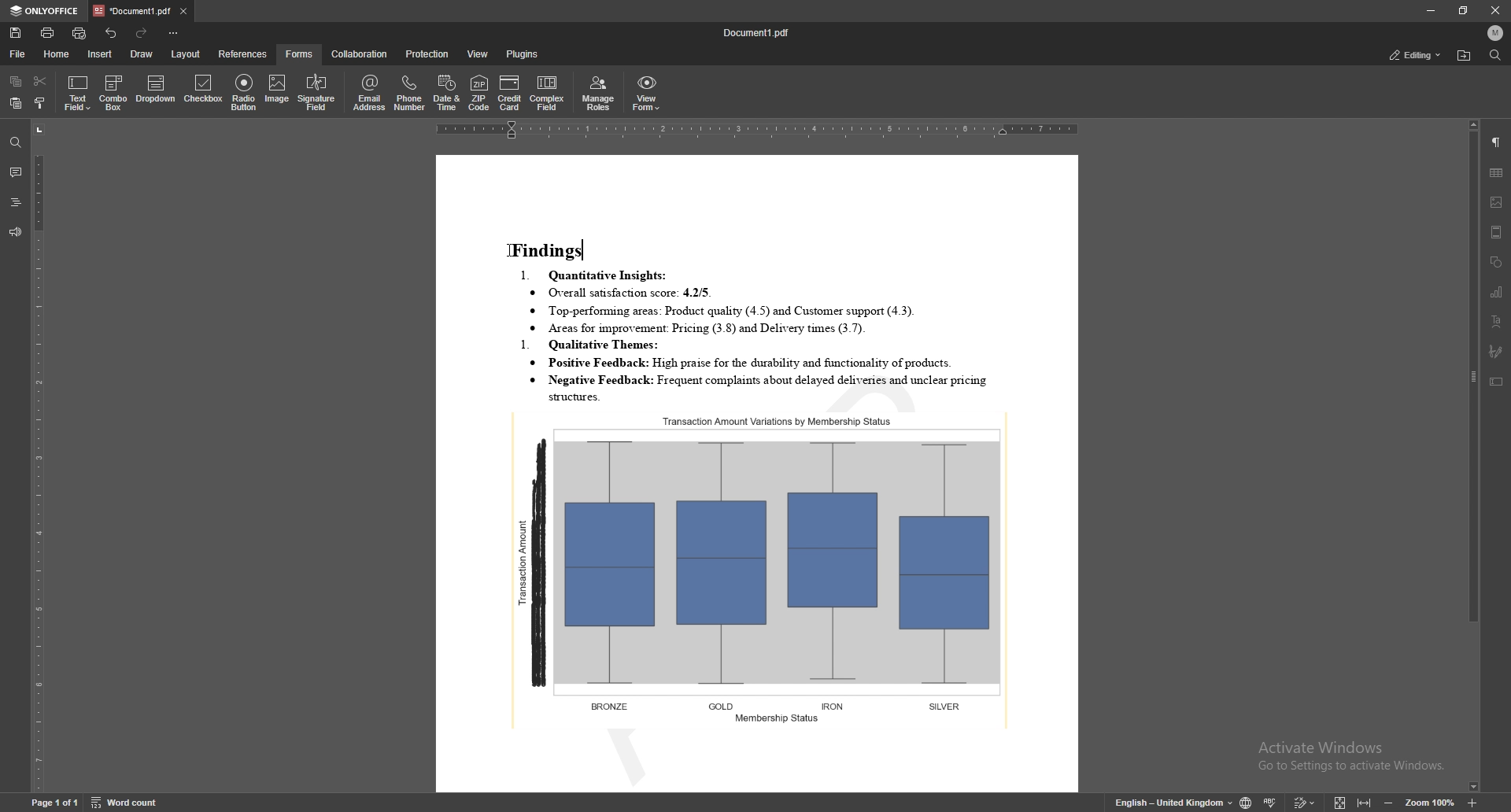  I want to click on save, so click(15, 34).